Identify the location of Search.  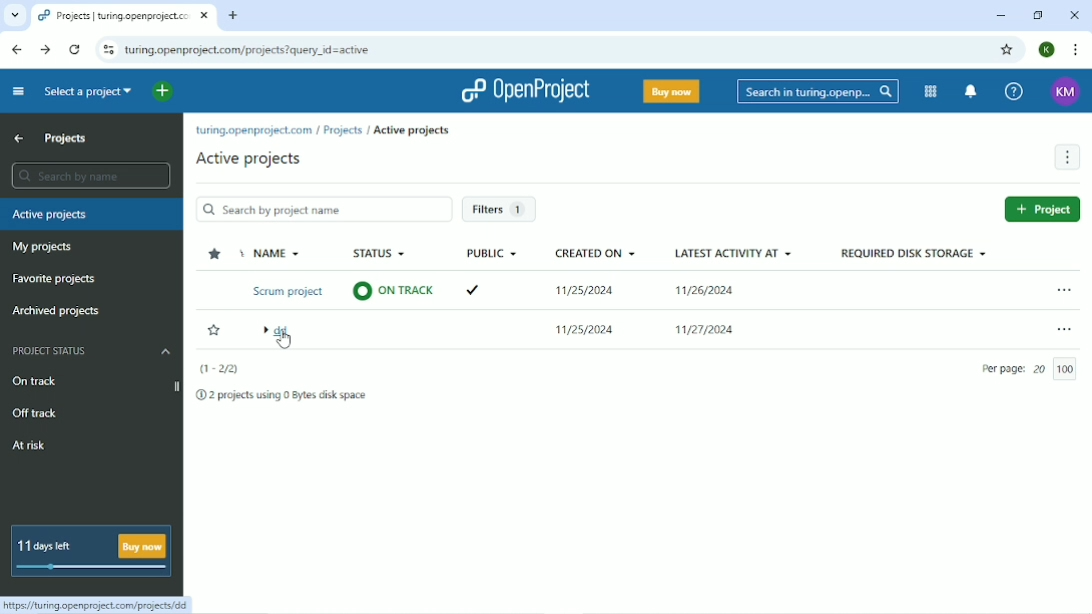
(818, 90).